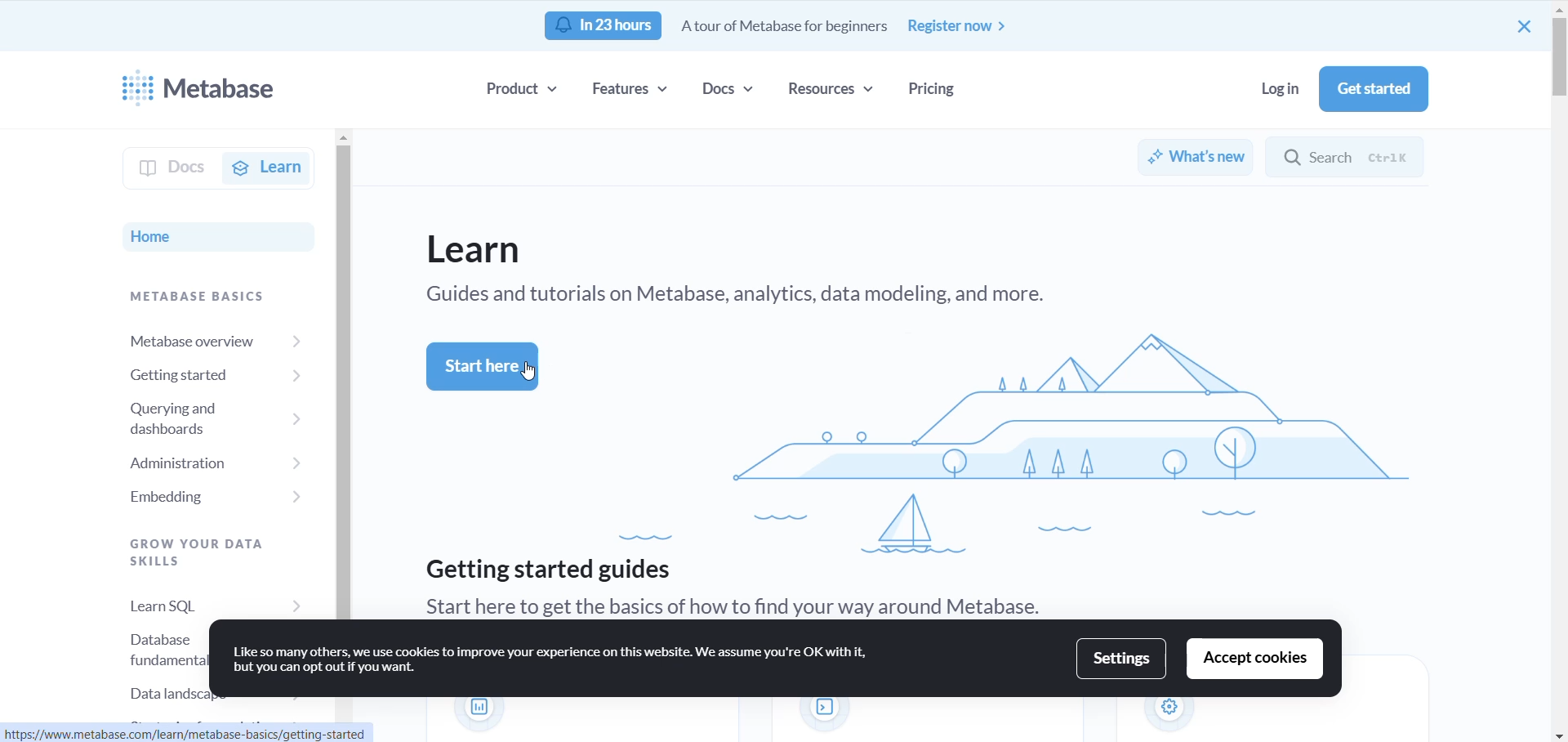 The image size is (1568, 742). Describe the element at coordinates (733, 91) in the screenshot. I see `docs` at that location.